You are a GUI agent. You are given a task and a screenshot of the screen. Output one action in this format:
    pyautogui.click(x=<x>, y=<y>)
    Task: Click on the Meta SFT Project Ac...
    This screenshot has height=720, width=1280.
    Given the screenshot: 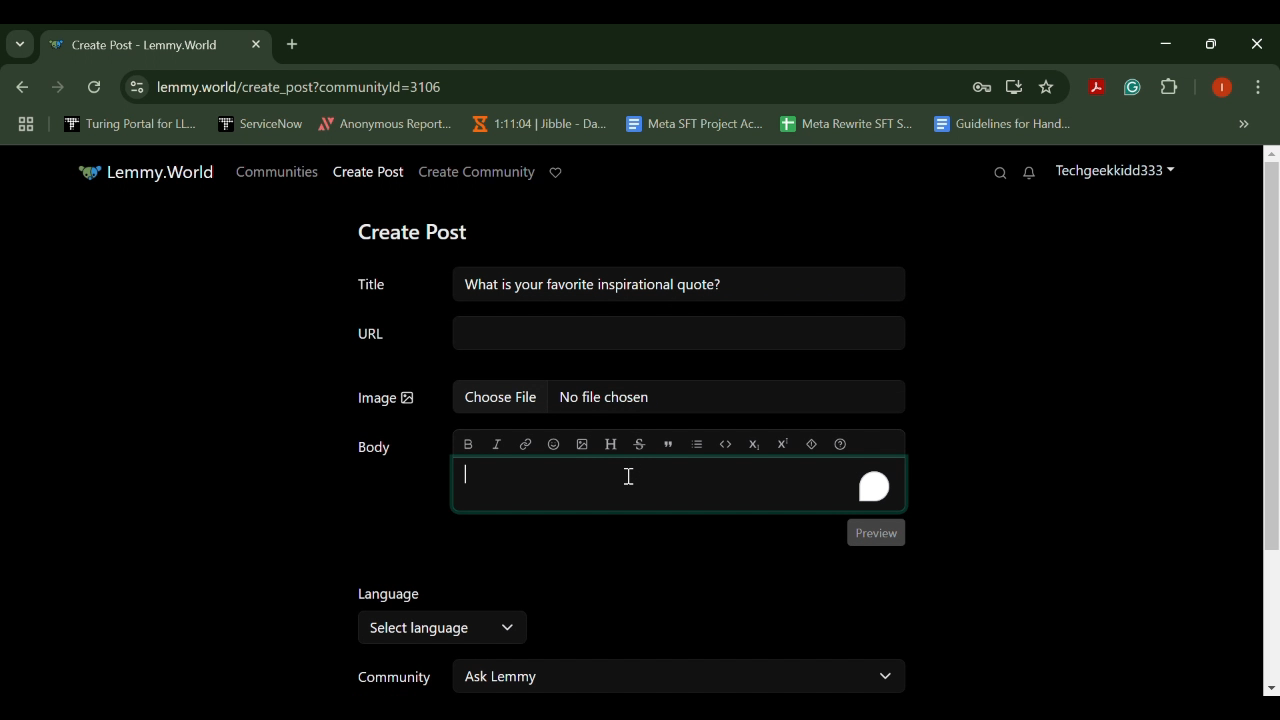 What is the action you would take?
    pyautogui.click(x=693, y=125)
    